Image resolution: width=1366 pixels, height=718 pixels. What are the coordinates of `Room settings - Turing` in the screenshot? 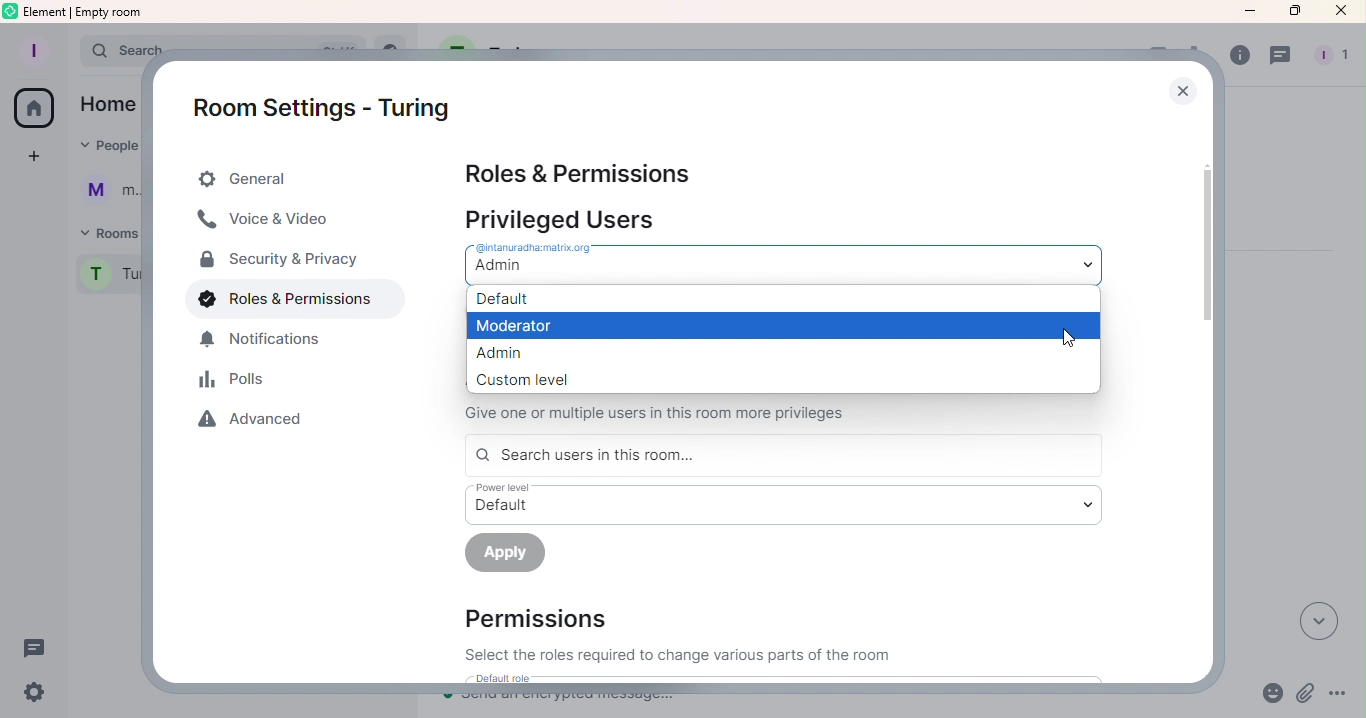 It's located at (322, 102).